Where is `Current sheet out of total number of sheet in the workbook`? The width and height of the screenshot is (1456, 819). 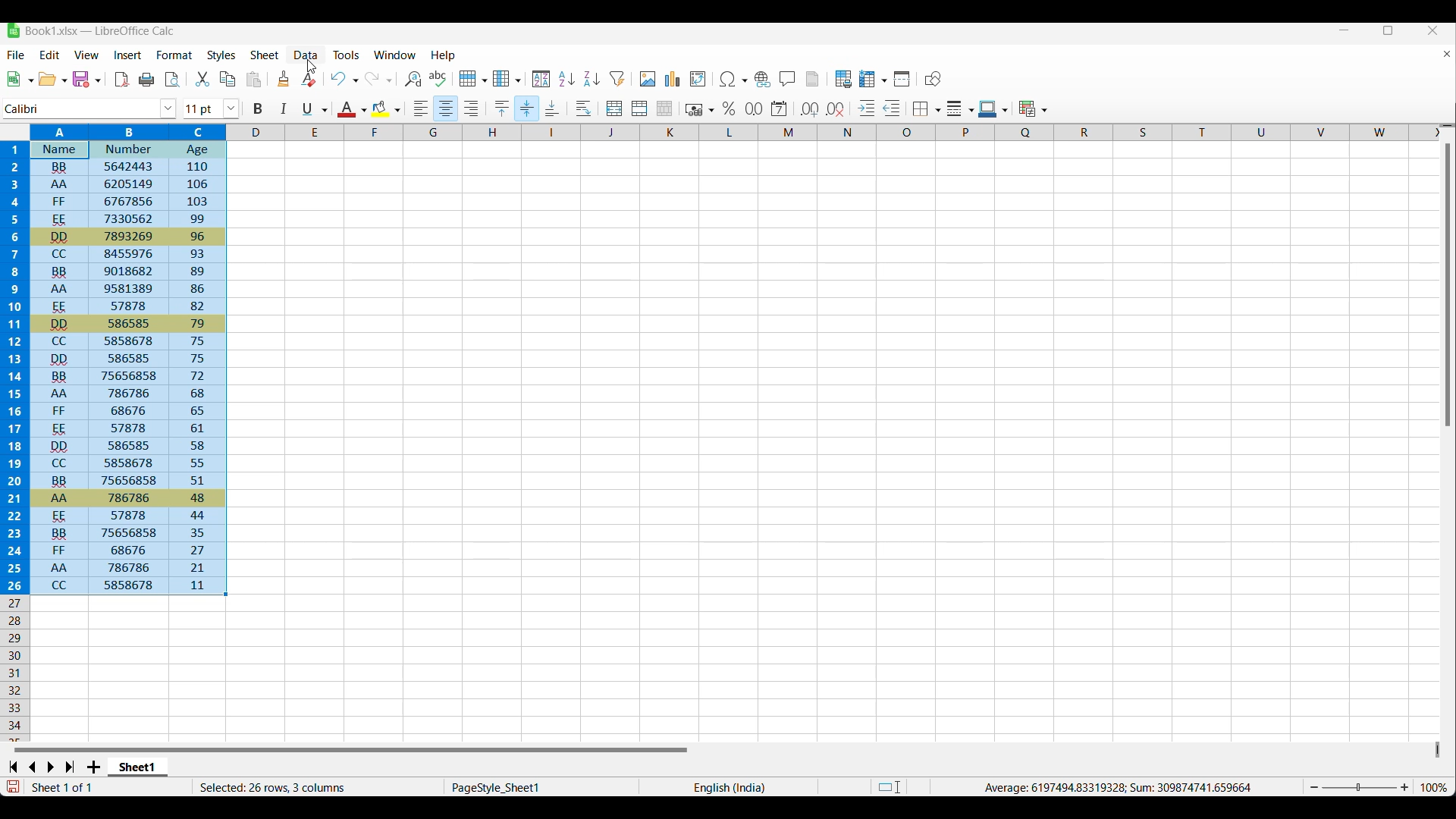
Current sheet out of total number of sheet in the workbook is located at coordinates (93, 787).